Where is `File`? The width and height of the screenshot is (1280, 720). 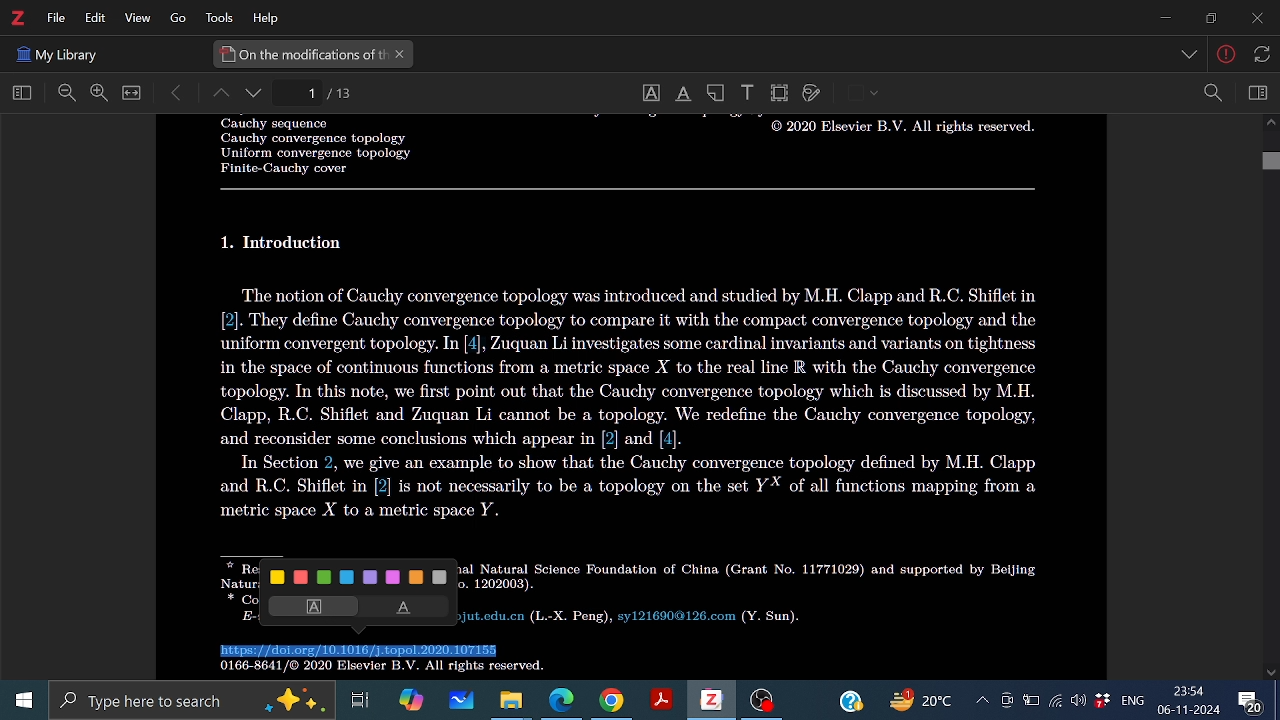 File is located at coordinates (56, 18).